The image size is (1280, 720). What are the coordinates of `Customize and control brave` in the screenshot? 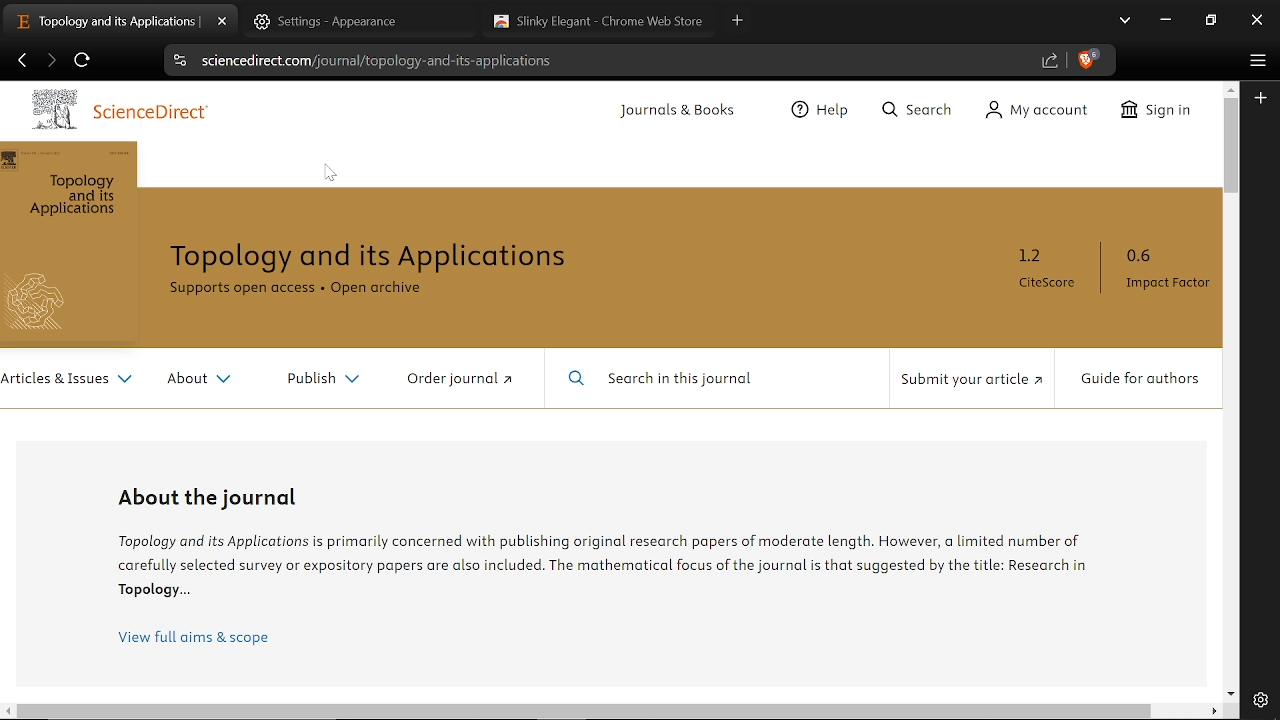 It's located at (1255, 63).